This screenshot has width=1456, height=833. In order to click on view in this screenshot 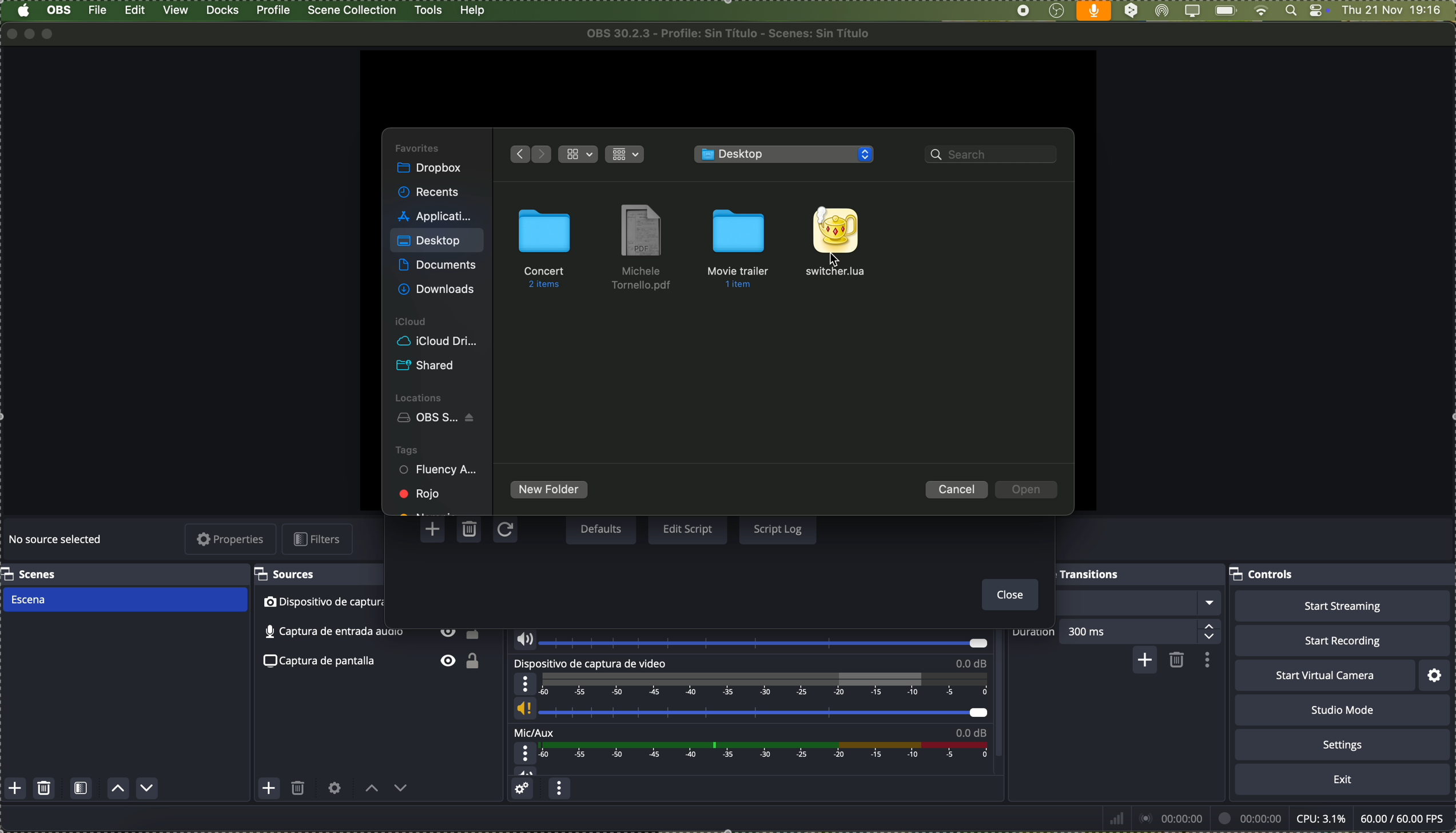, I will do `click(177, 10)`.